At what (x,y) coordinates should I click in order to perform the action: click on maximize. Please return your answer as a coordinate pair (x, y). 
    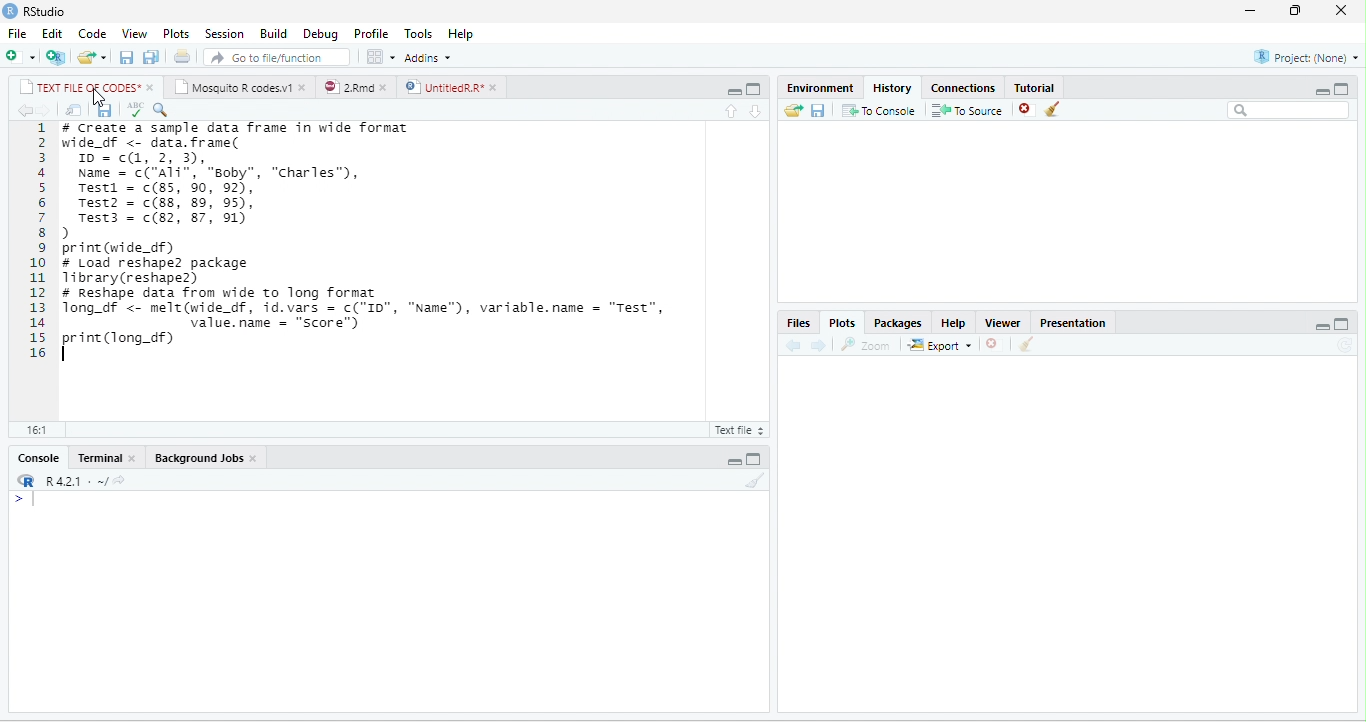
    Looking at the image, I should click on (752, 90).